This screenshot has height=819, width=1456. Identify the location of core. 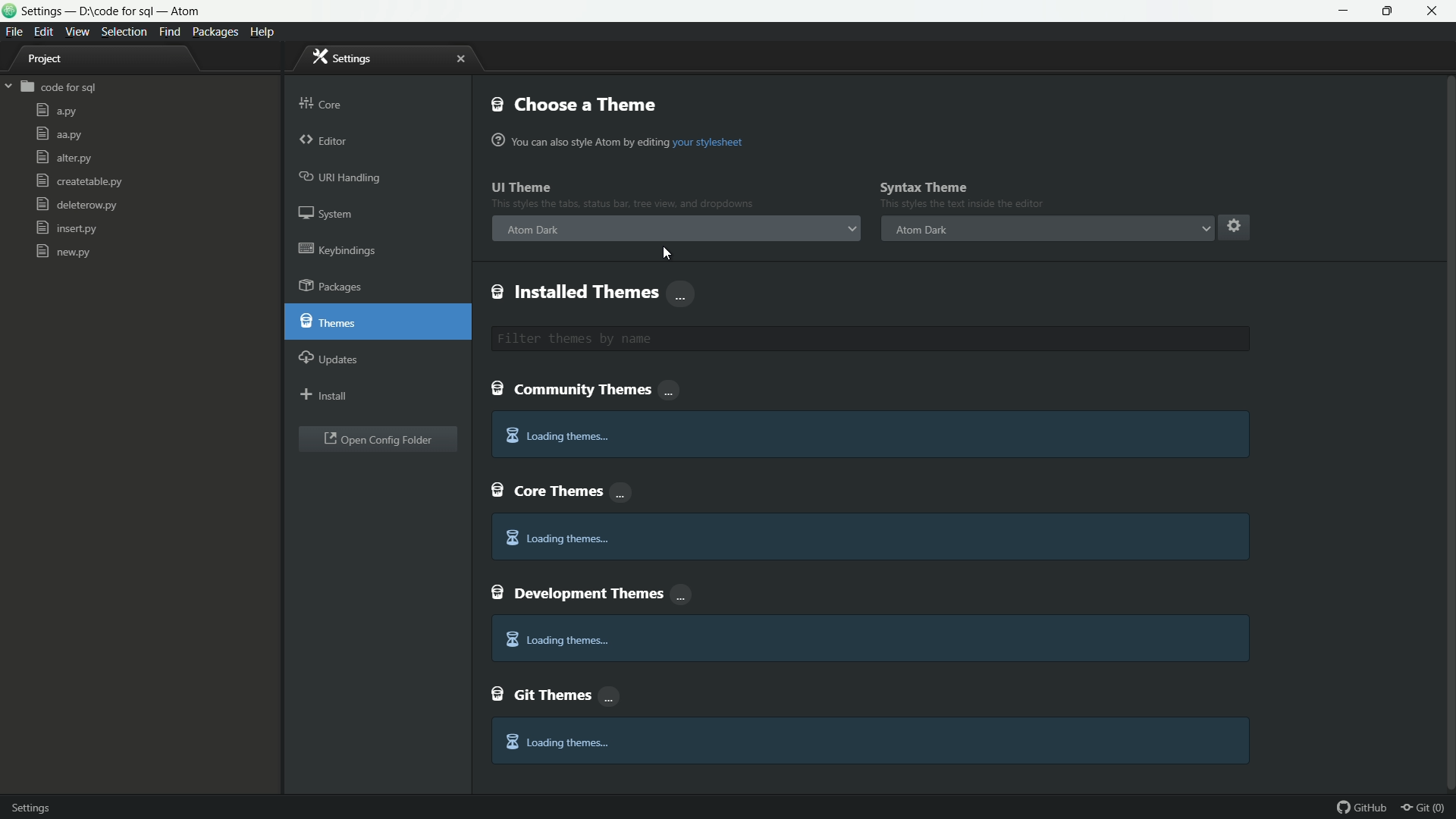
(321, 103).